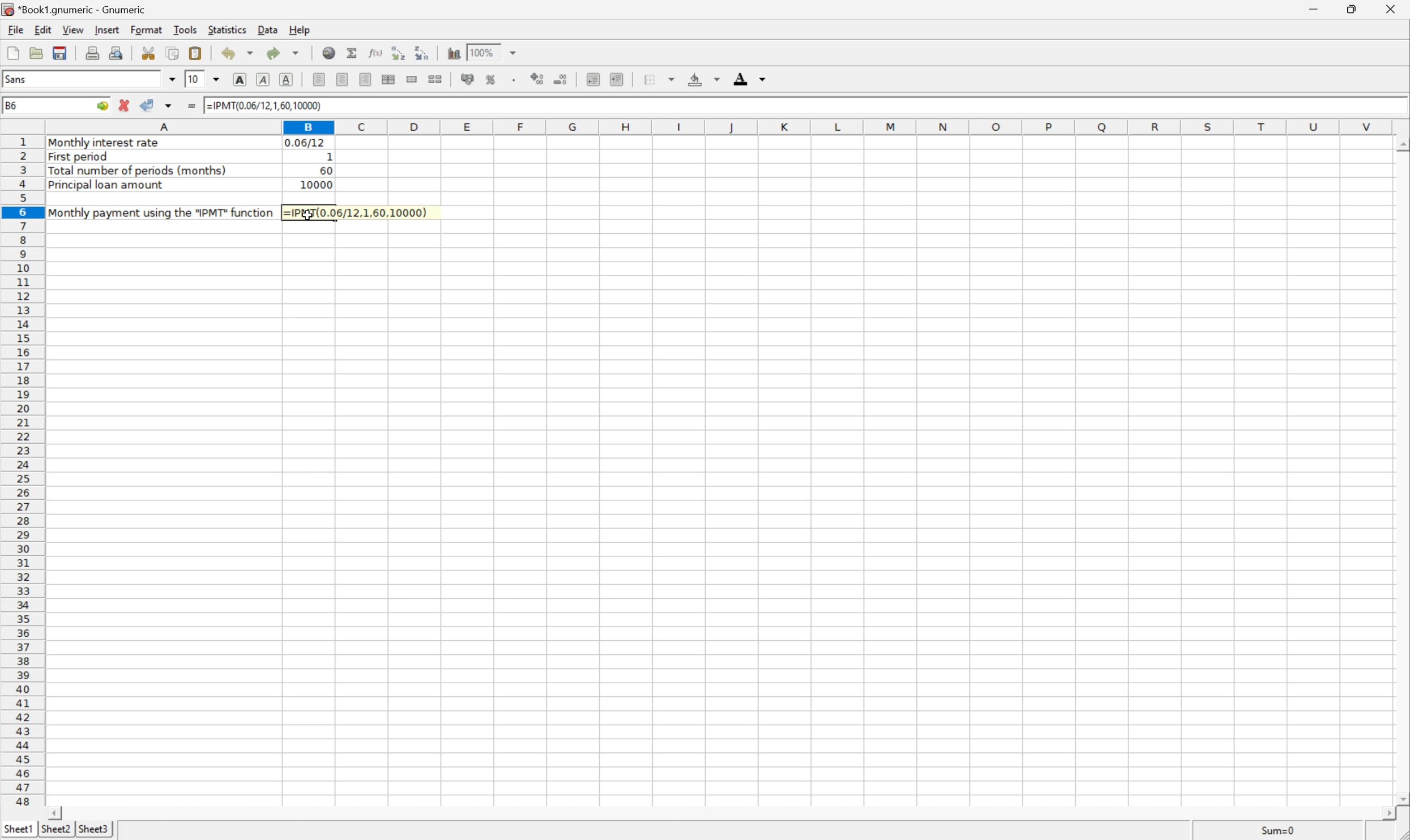 The width and height of the screenshot is (1410, 840). What do you see at coordinates (317, 79) in the screenshot?
I see `Align Left` at bounding box center [317, 79].